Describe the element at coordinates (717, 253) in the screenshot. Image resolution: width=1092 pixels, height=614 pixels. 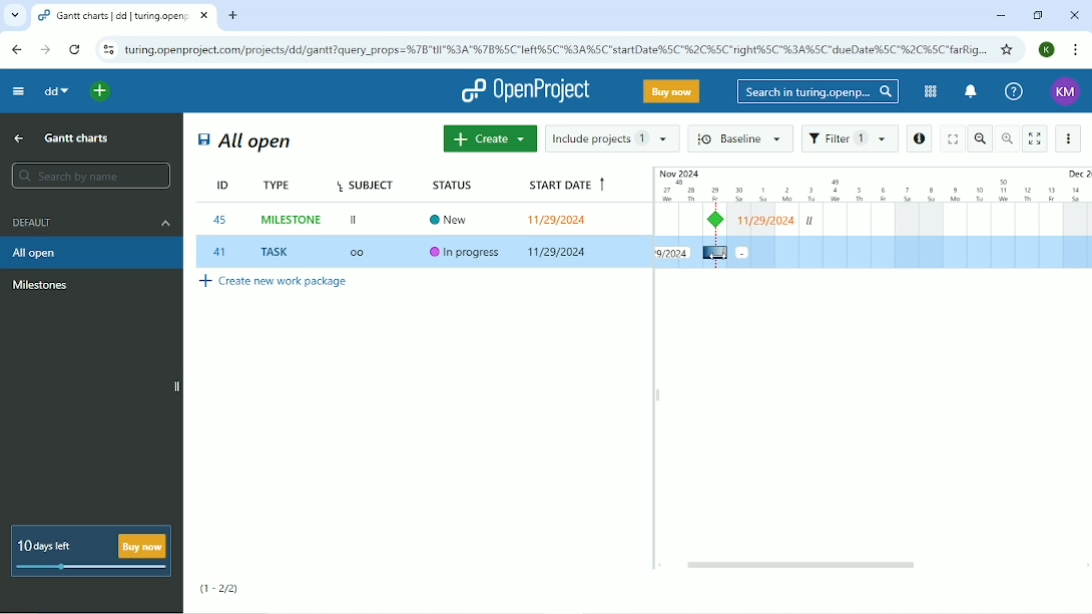
I see `cursor` at that location.